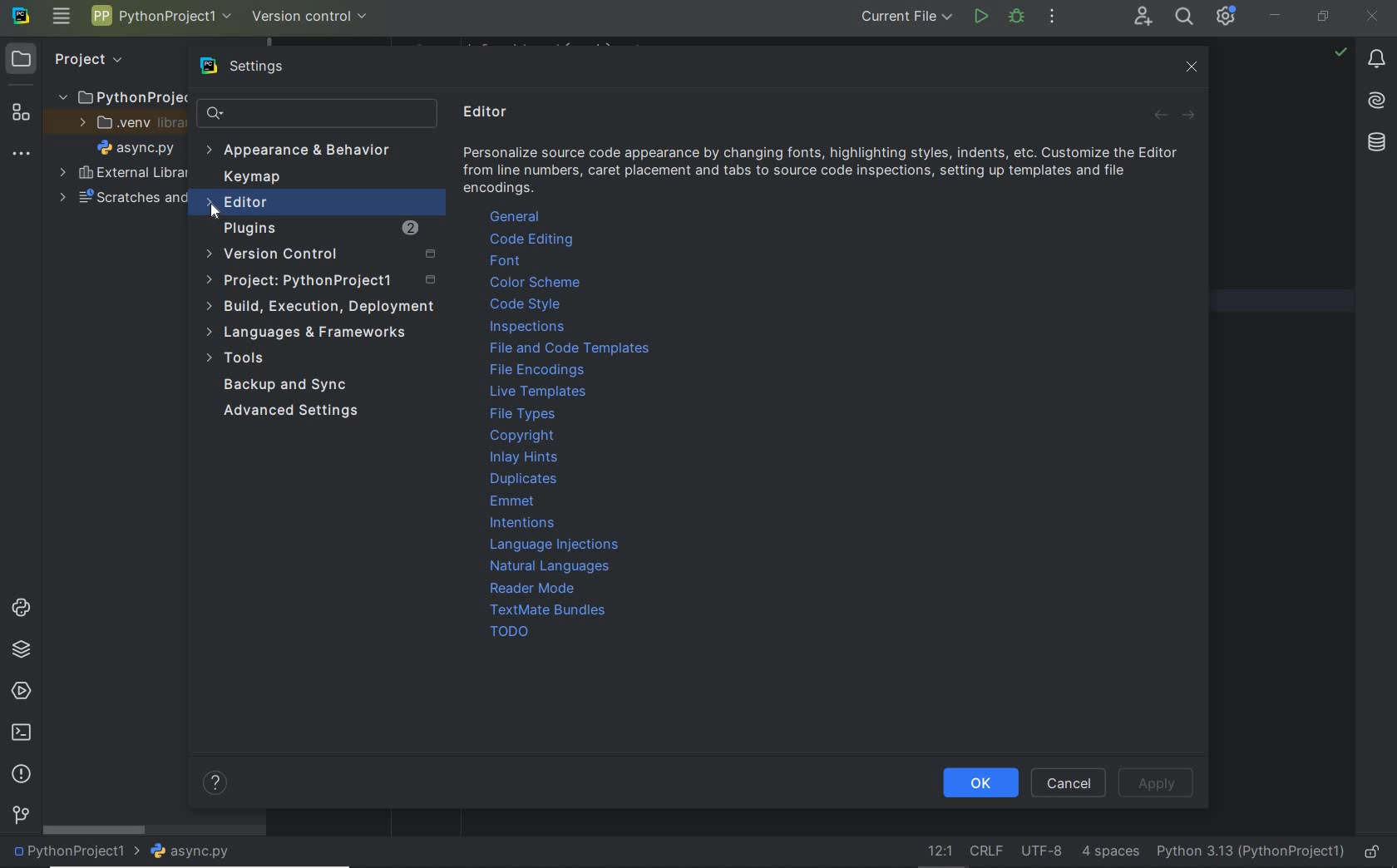 The width and height of the screenshot is (1397, 868). What do you see at coordinates (550, 611) in the screenshot?
I see `TextMate Bundles` at bounding box center [550, 611].